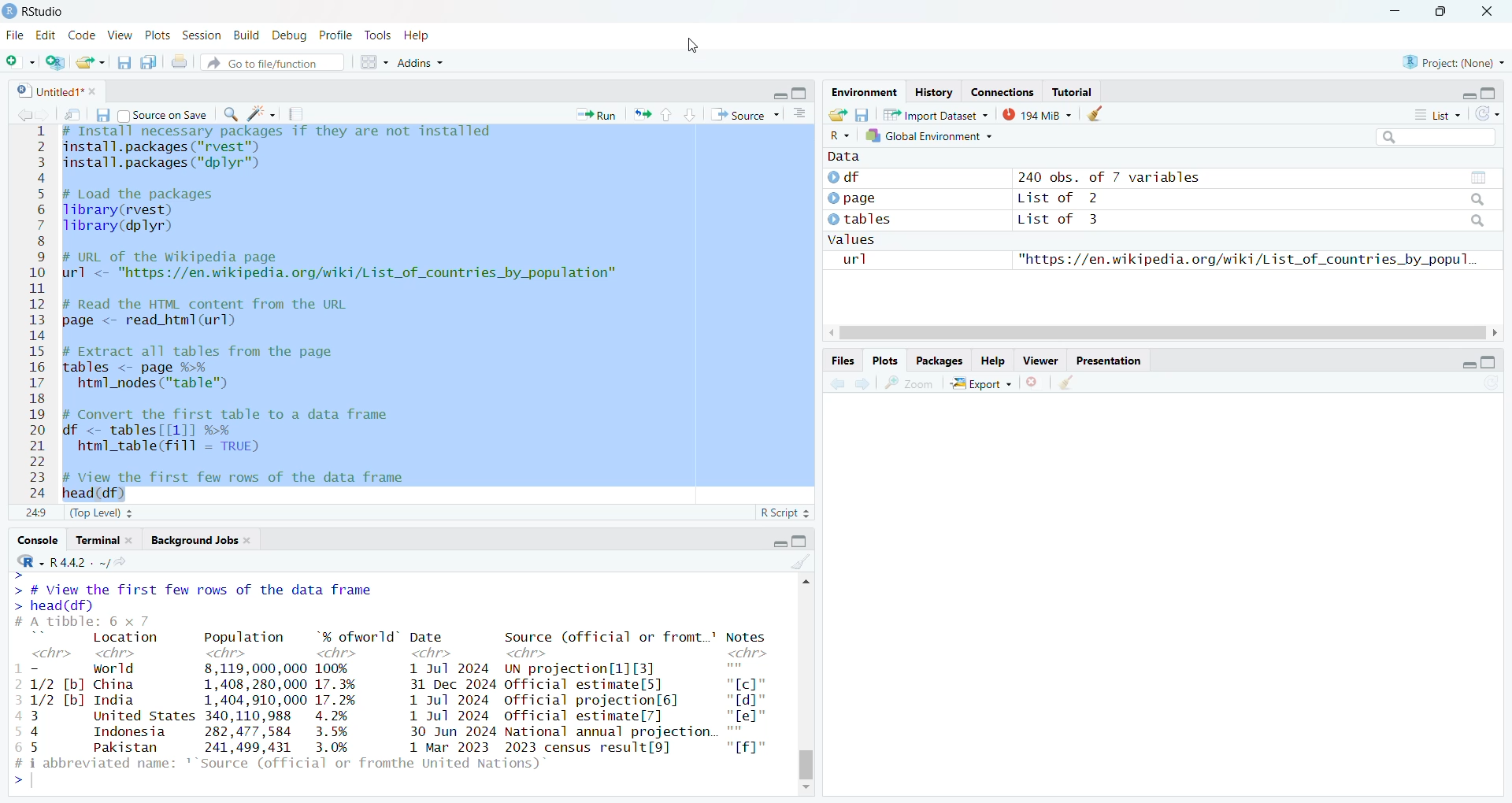 The height and width of the screenshot is (803, 1512). Describe the element at coordinates (753, 705) in the screenshot. I see `<chr>"[c]""[d]""[e]""[f]""` at that location.